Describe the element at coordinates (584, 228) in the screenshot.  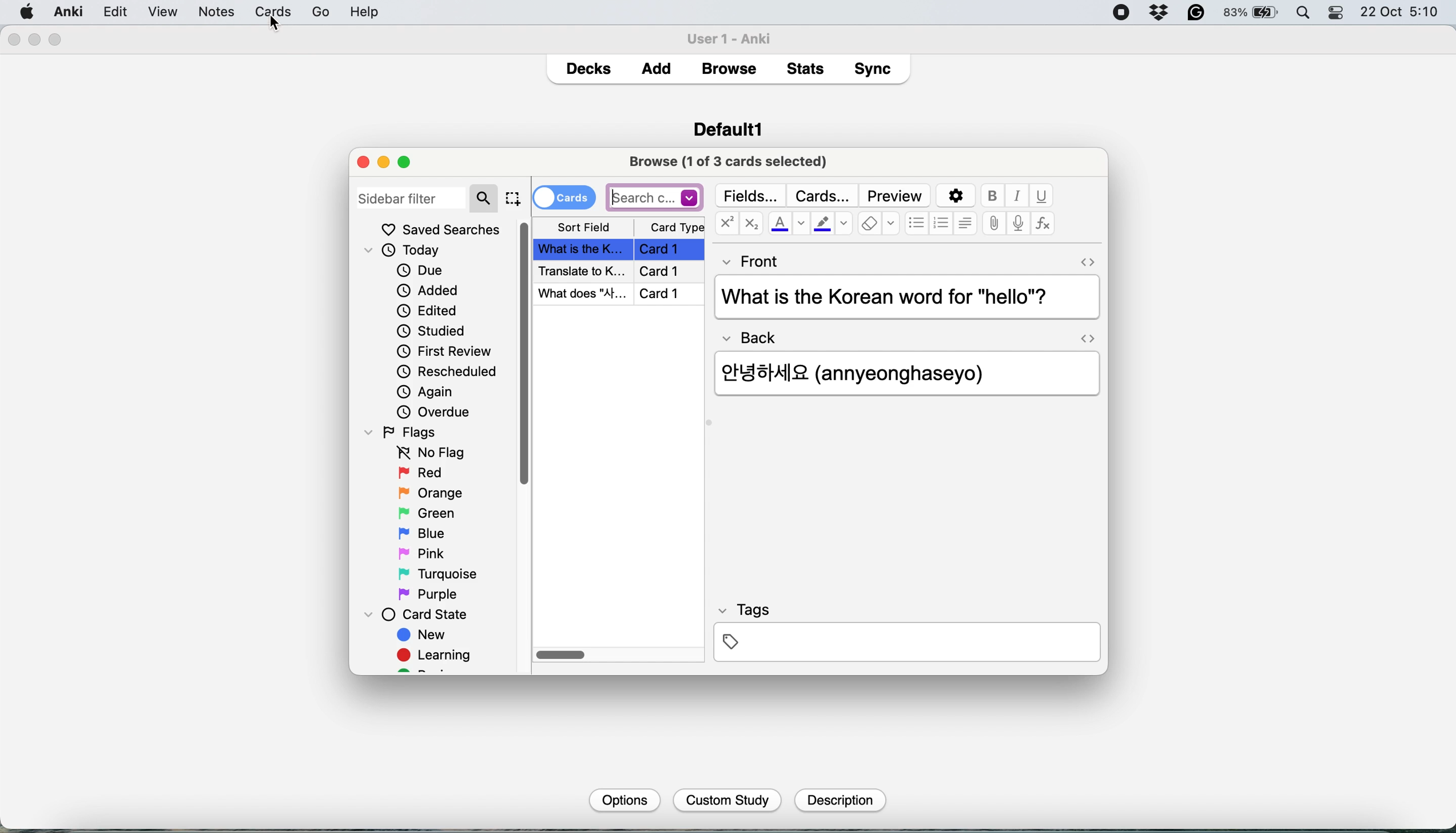
I see `sort field` at that location.